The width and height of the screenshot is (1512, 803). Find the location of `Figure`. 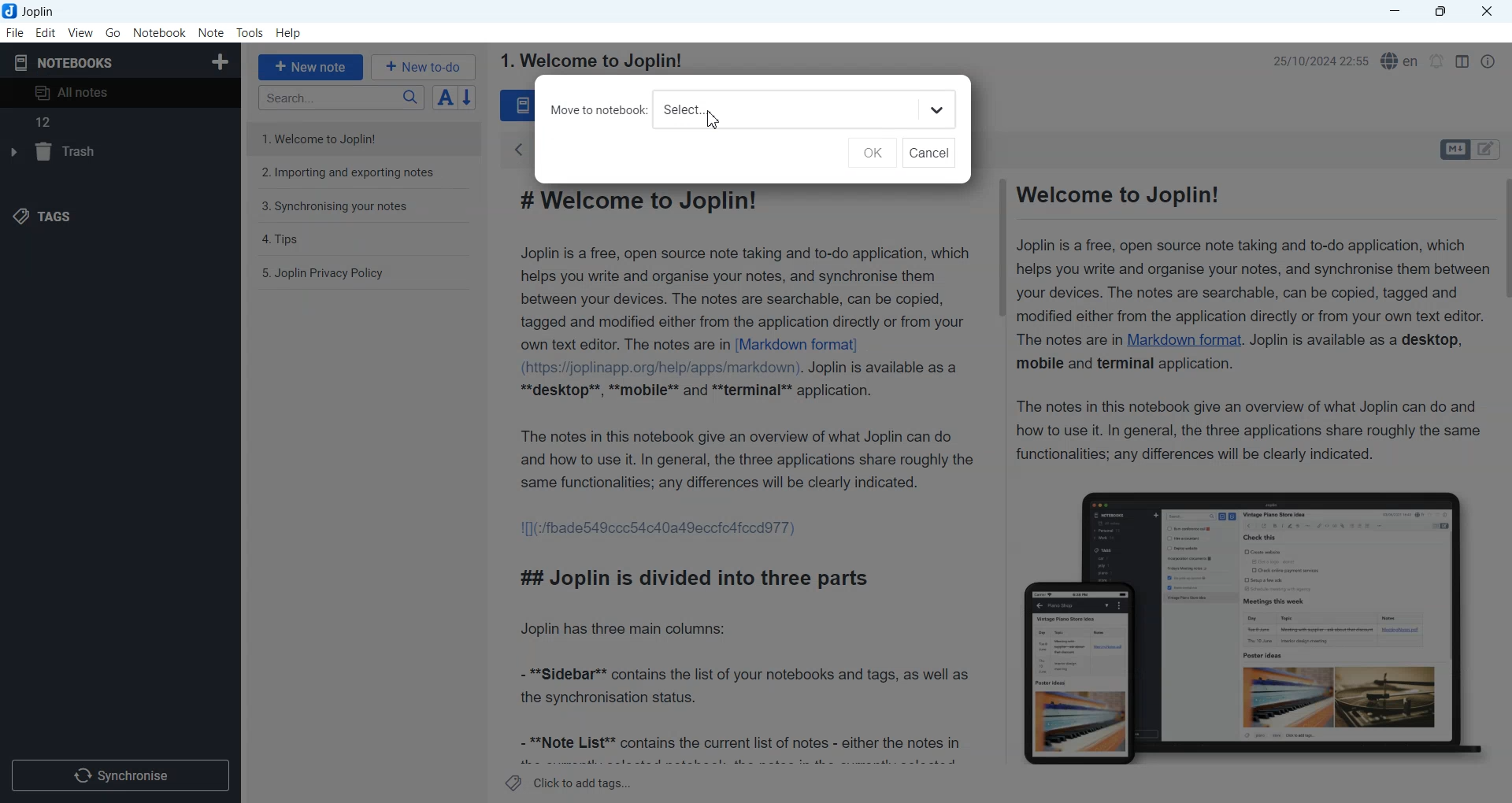

Figure is located at coordinates (1244, 620).